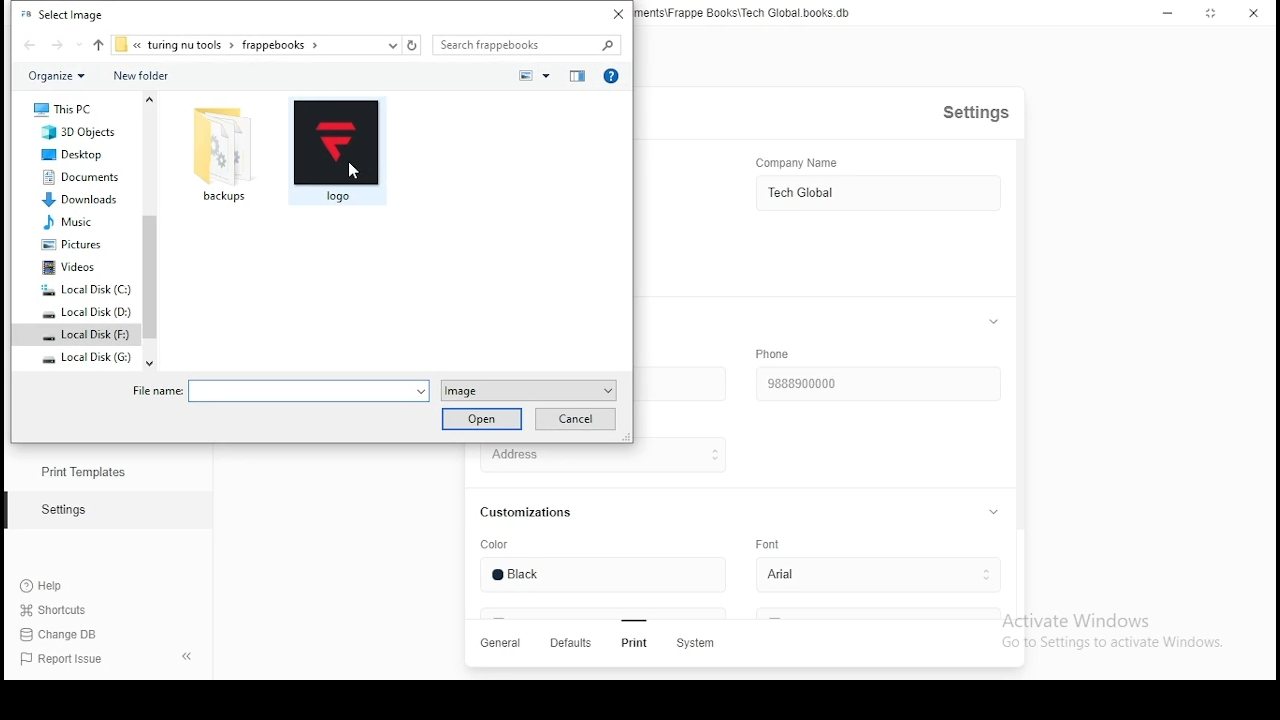 Image resolution: width=1280 pixels, height=720 pixels. I want to click on select file type, so click(529, 389).